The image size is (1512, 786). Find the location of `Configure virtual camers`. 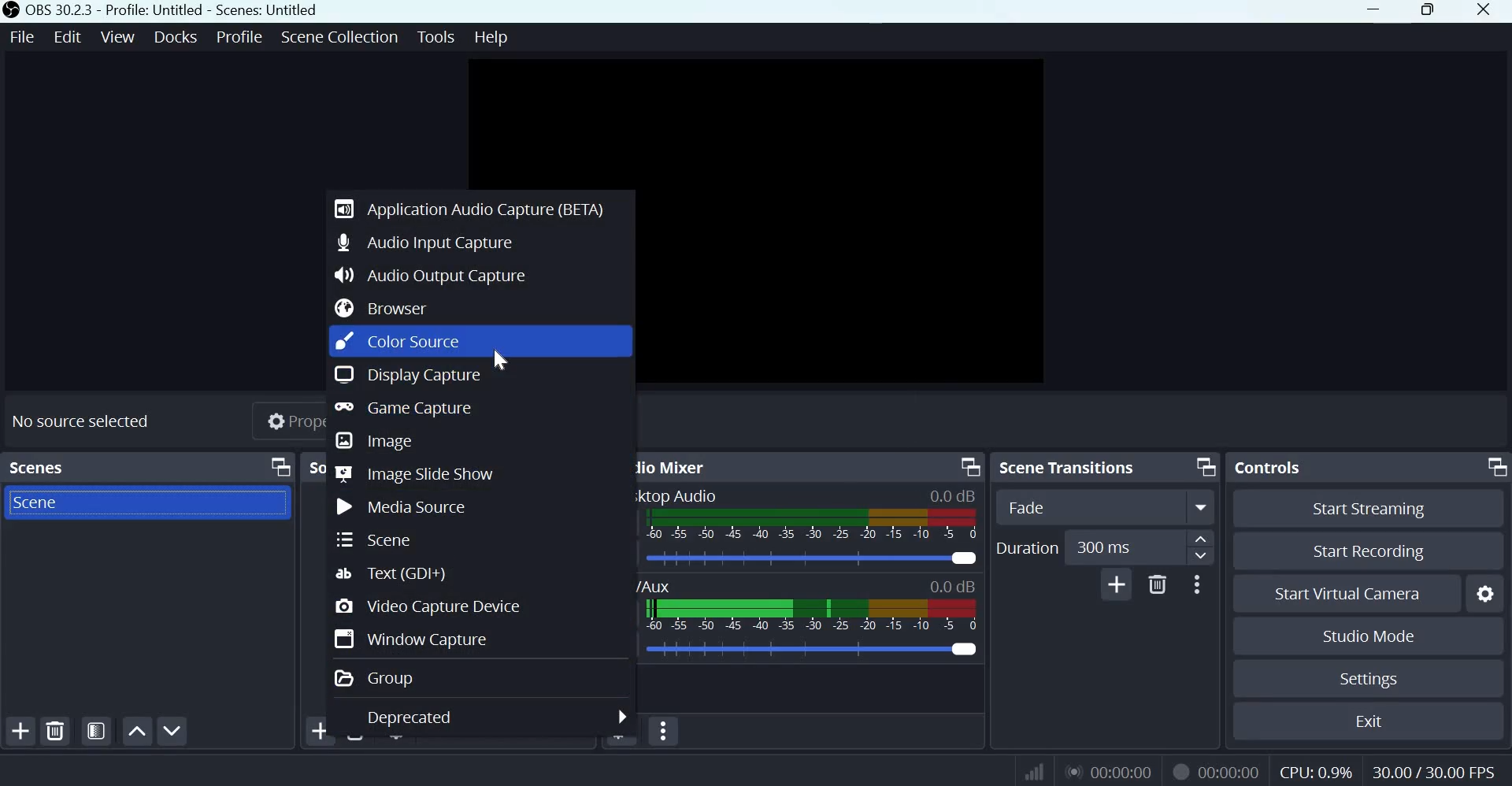

Configure virtual camers is located at coordinates (1488, 595).